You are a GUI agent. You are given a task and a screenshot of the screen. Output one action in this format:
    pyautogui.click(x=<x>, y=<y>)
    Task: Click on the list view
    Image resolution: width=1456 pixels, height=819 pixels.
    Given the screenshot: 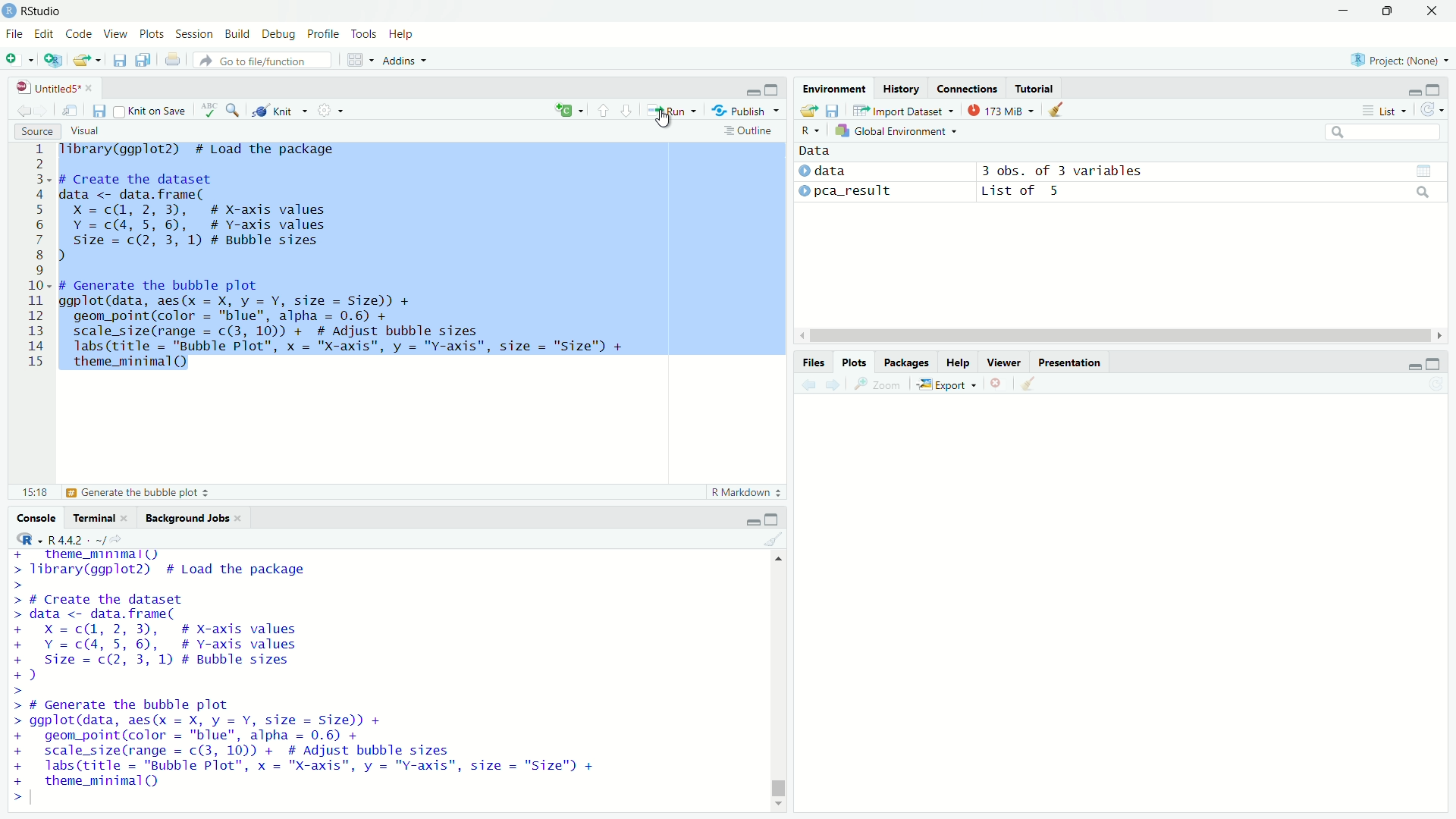 What is the action you would take?
    pyautogui.click(x=1385, y=110)
    